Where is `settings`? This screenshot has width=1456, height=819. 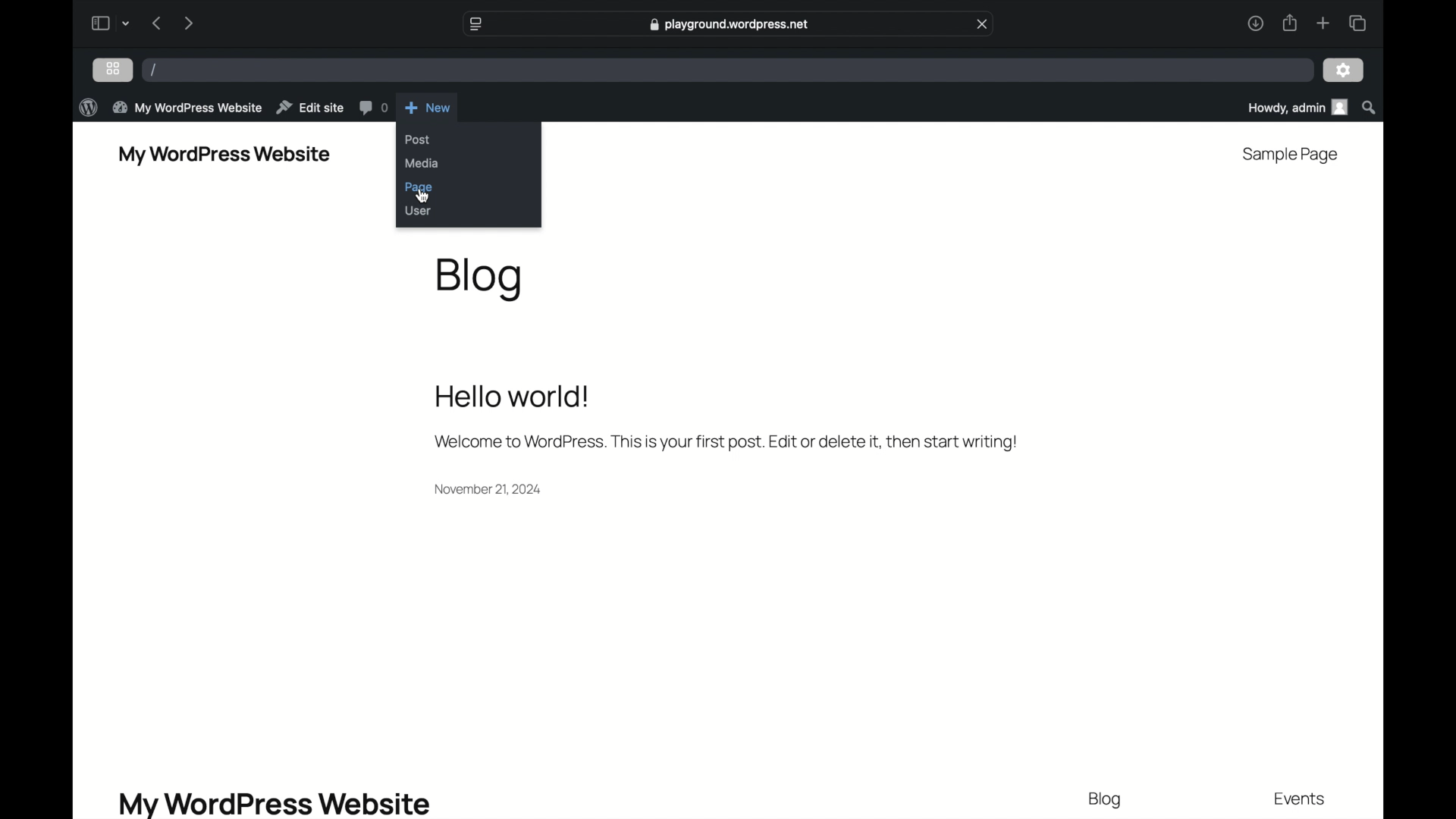
settings is located at coordinates (1344, 70).